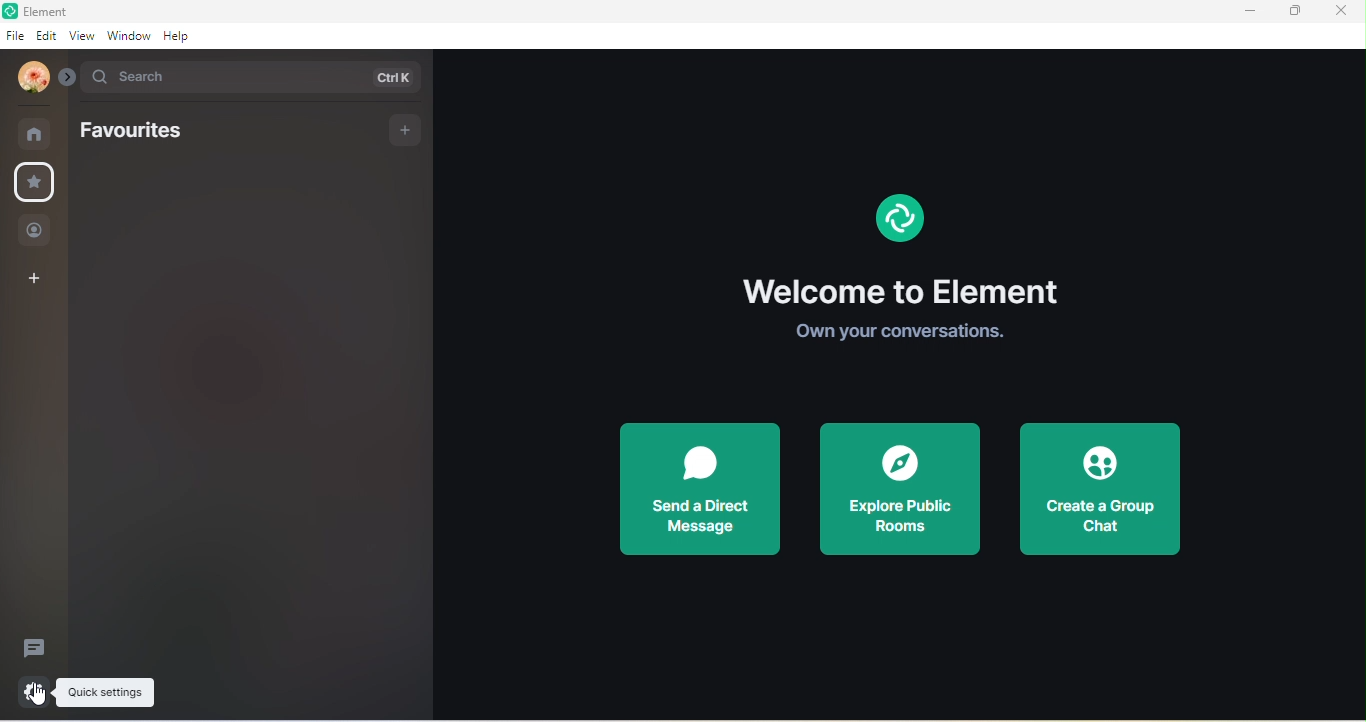 The height and width of the screenshot is (722, 1366). Describe the element at coordinates (1343, 12) in the screenshot. I see `close` at that location.